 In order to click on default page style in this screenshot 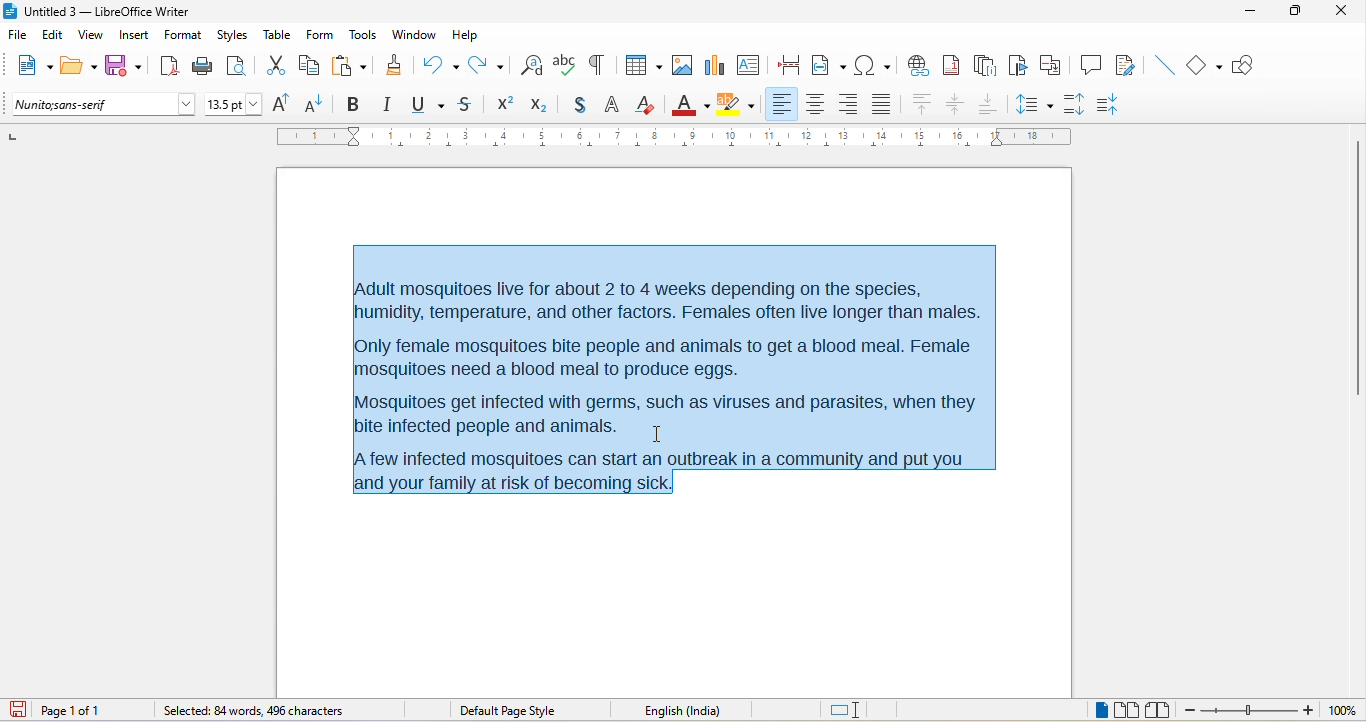, I will do `click(511, 711)`.